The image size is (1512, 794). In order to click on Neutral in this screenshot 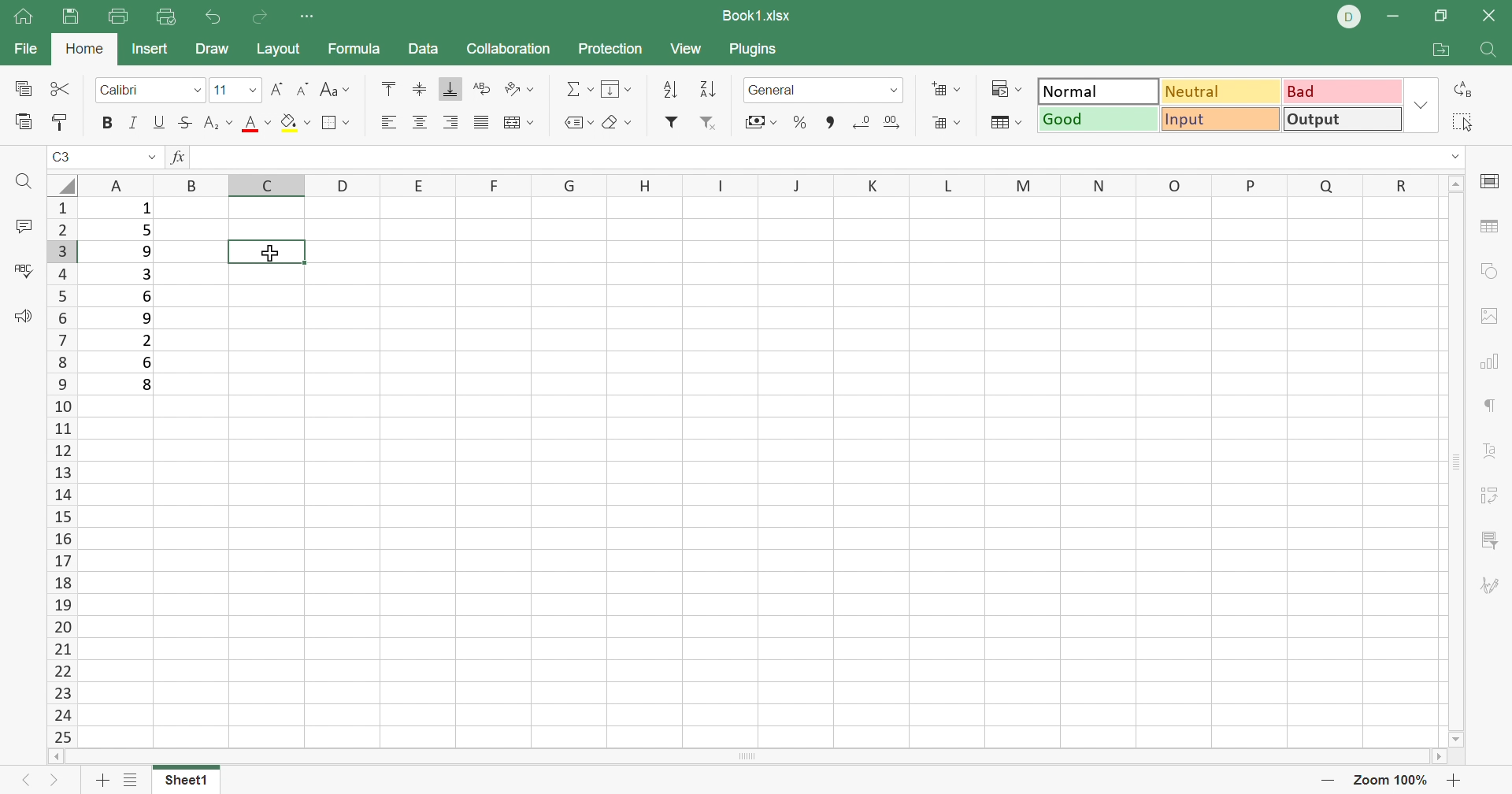, I will do `click(1222, 92)`.